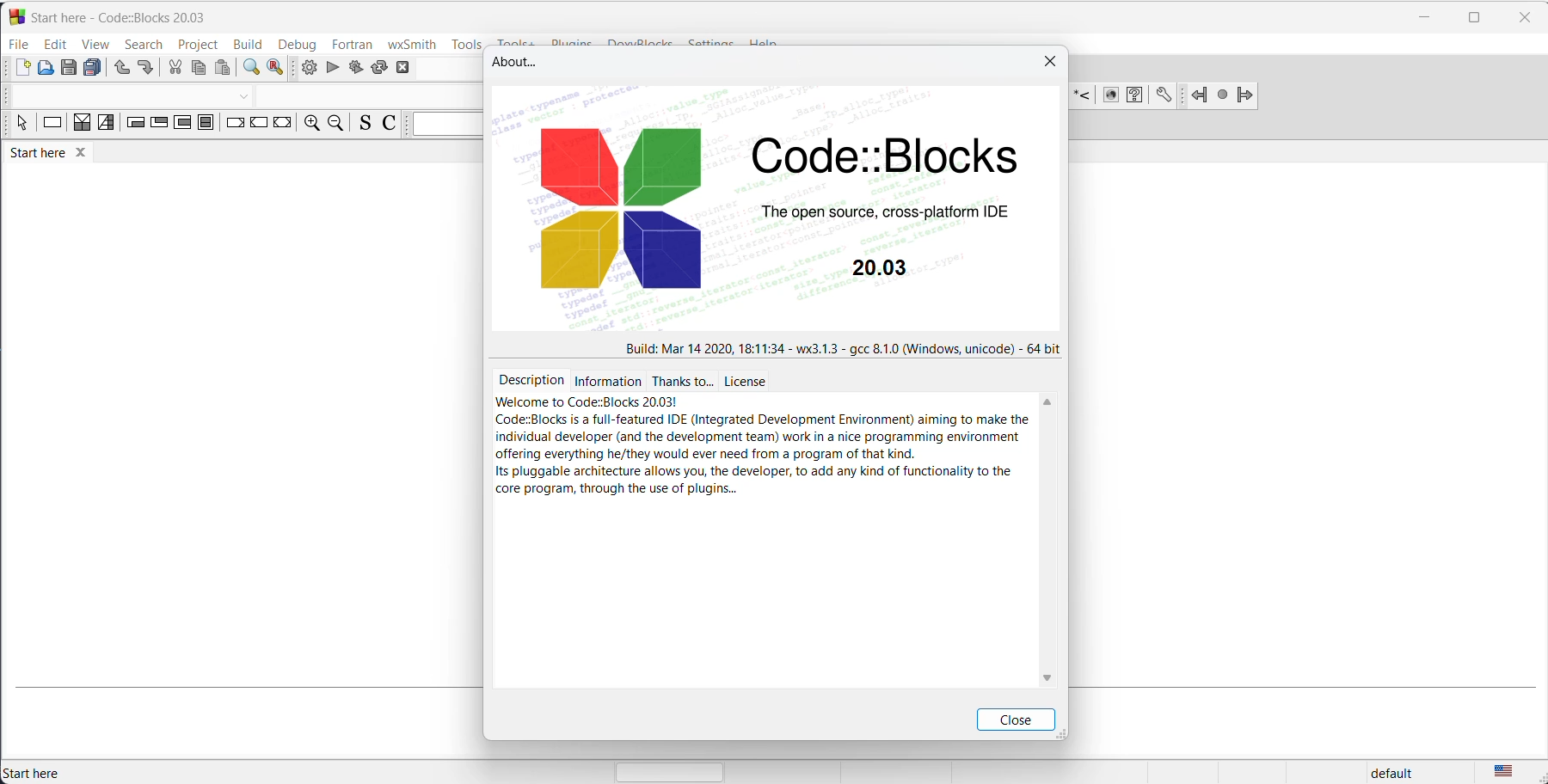  I want to click on abort, so click(409, 69).